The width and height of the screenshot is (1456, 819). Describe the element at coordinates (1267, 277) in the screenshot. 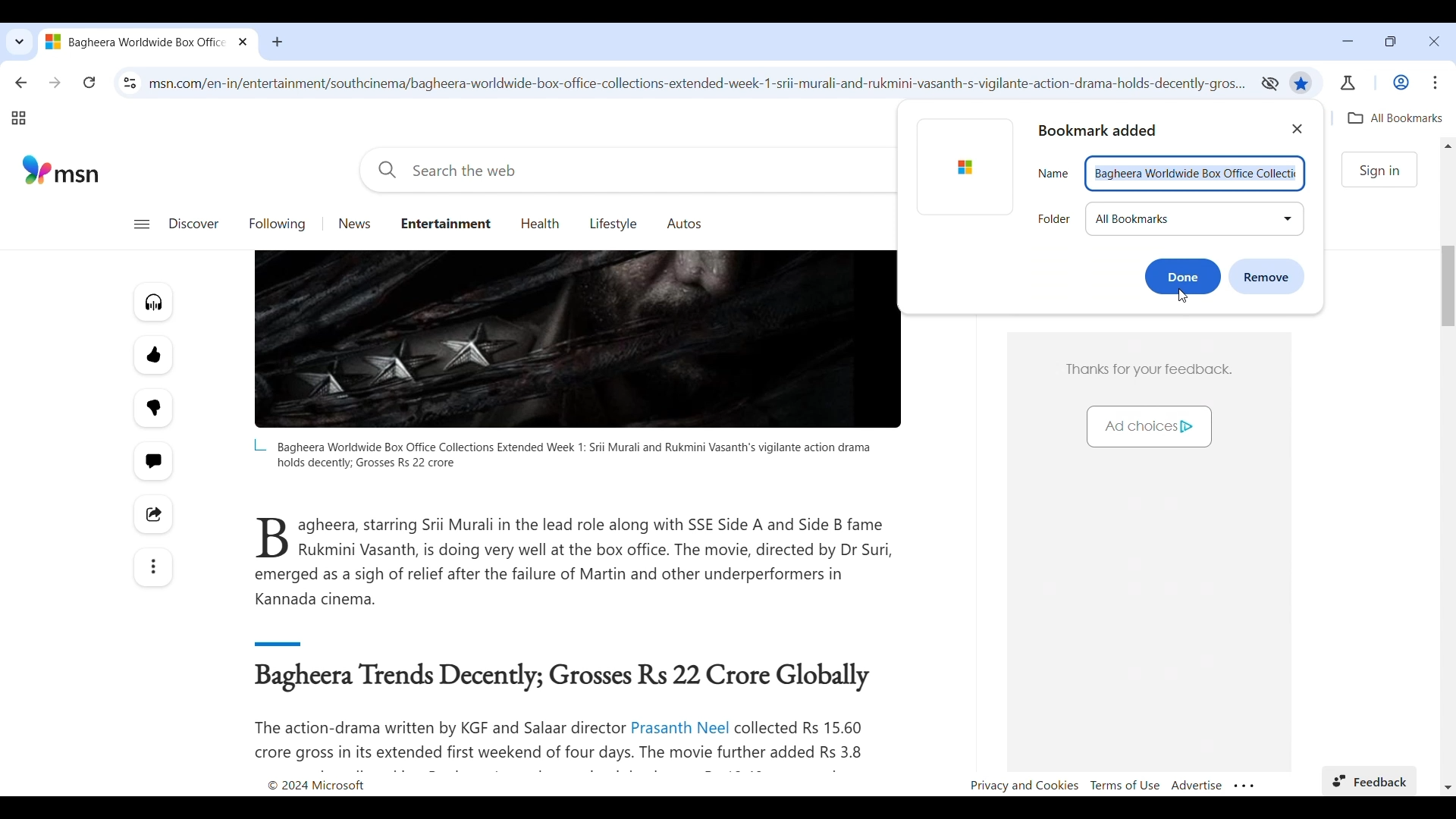

I see `Remove page from bookmark` at that location.